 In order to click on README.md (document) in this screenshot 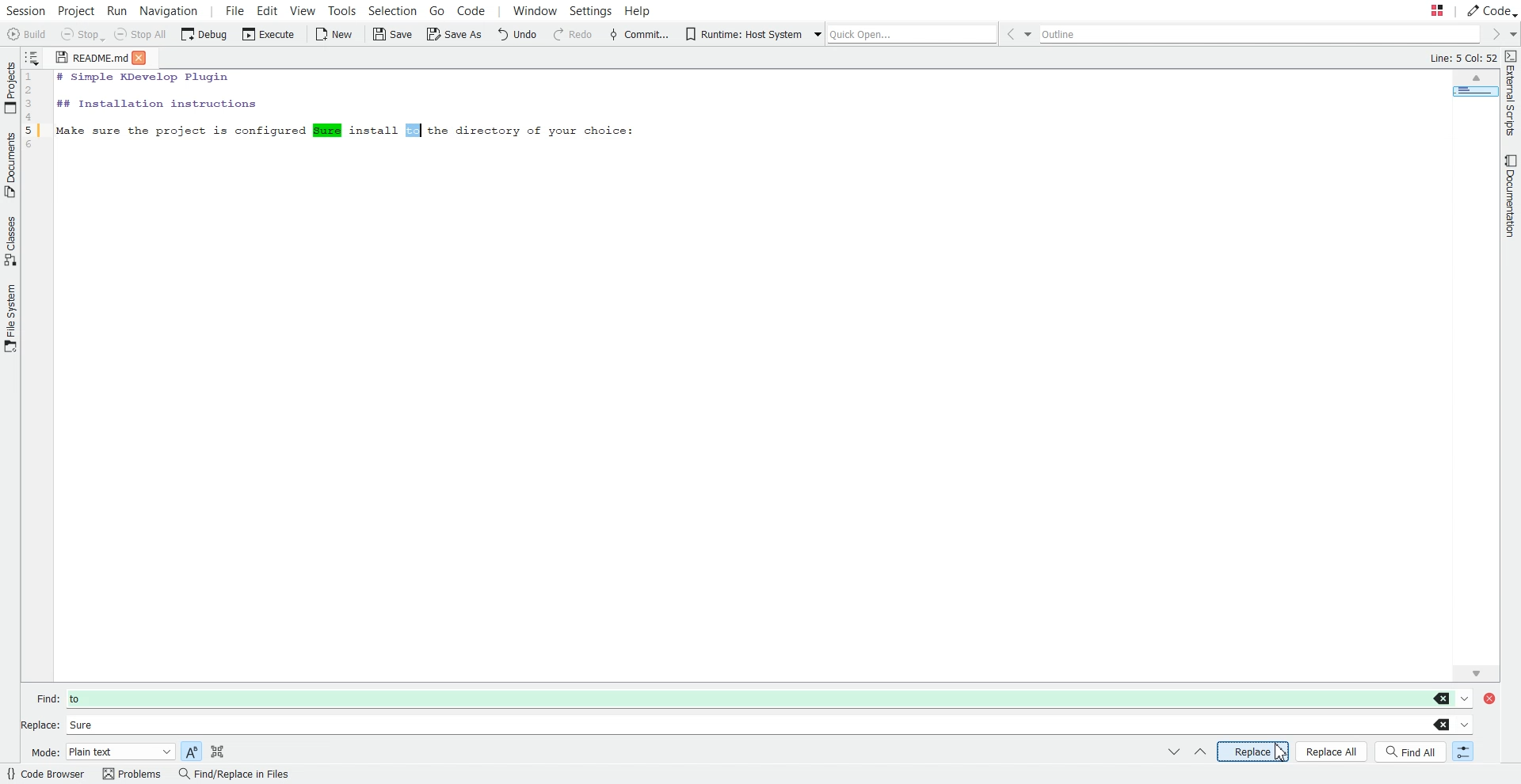, I will do `click(91, 59)`.